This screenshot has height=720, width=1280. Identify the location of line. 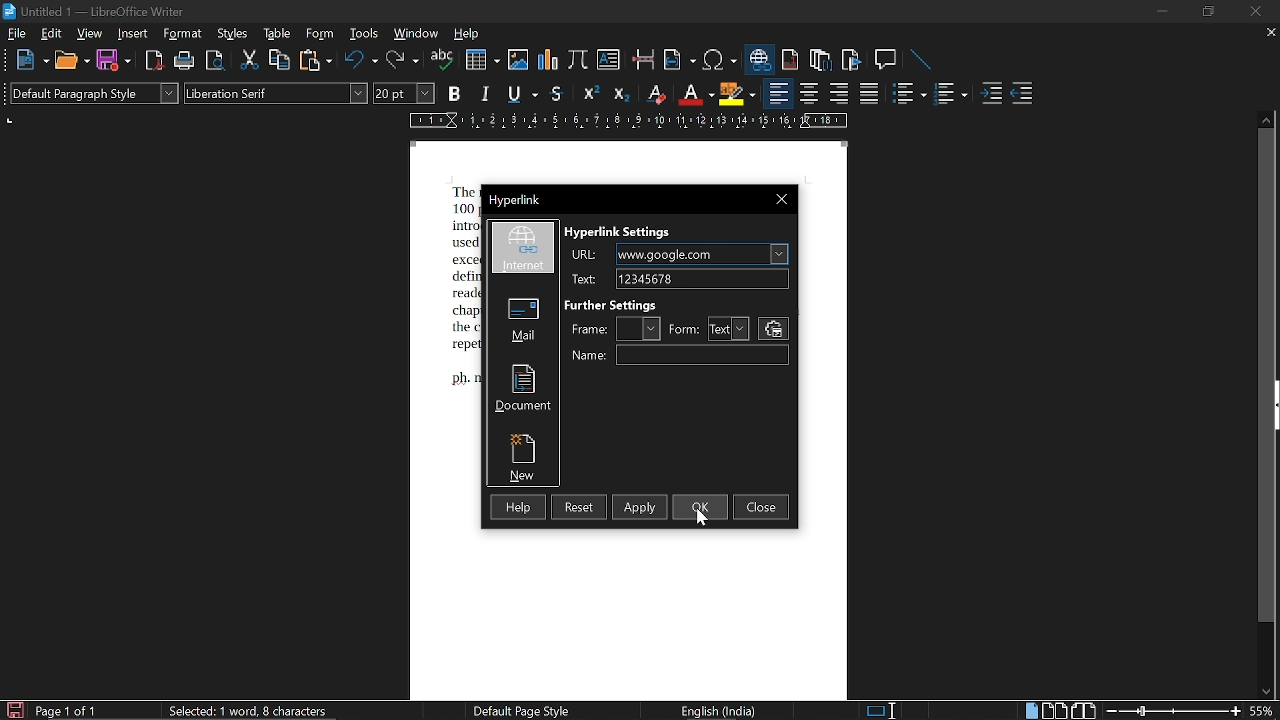
(920, 59).